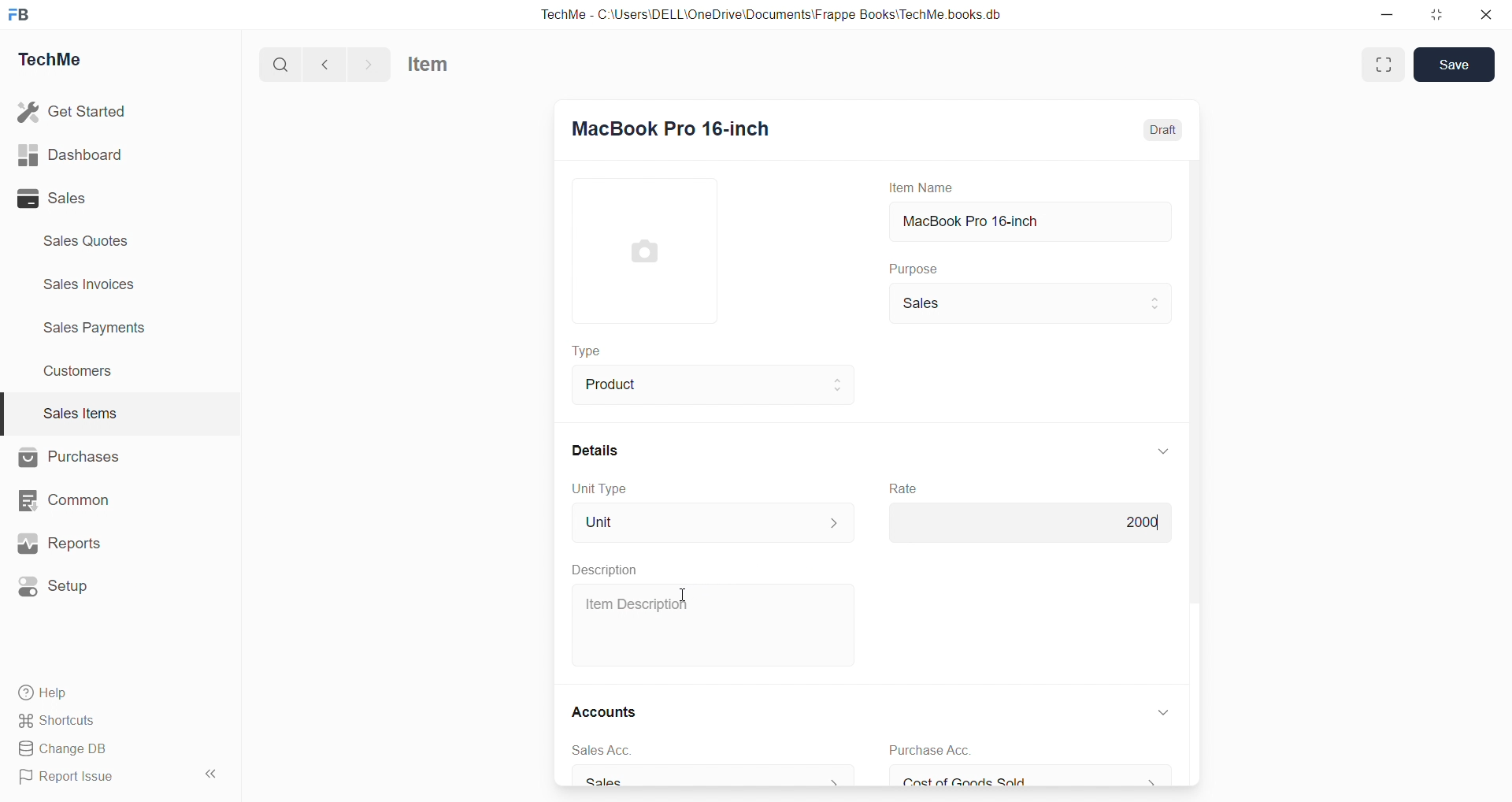 Image resolution: width=1512 pixels, height=802 pixels. Describe the element at coordinates (1164, 129) in the screenshot. I see `Draft` at that location.